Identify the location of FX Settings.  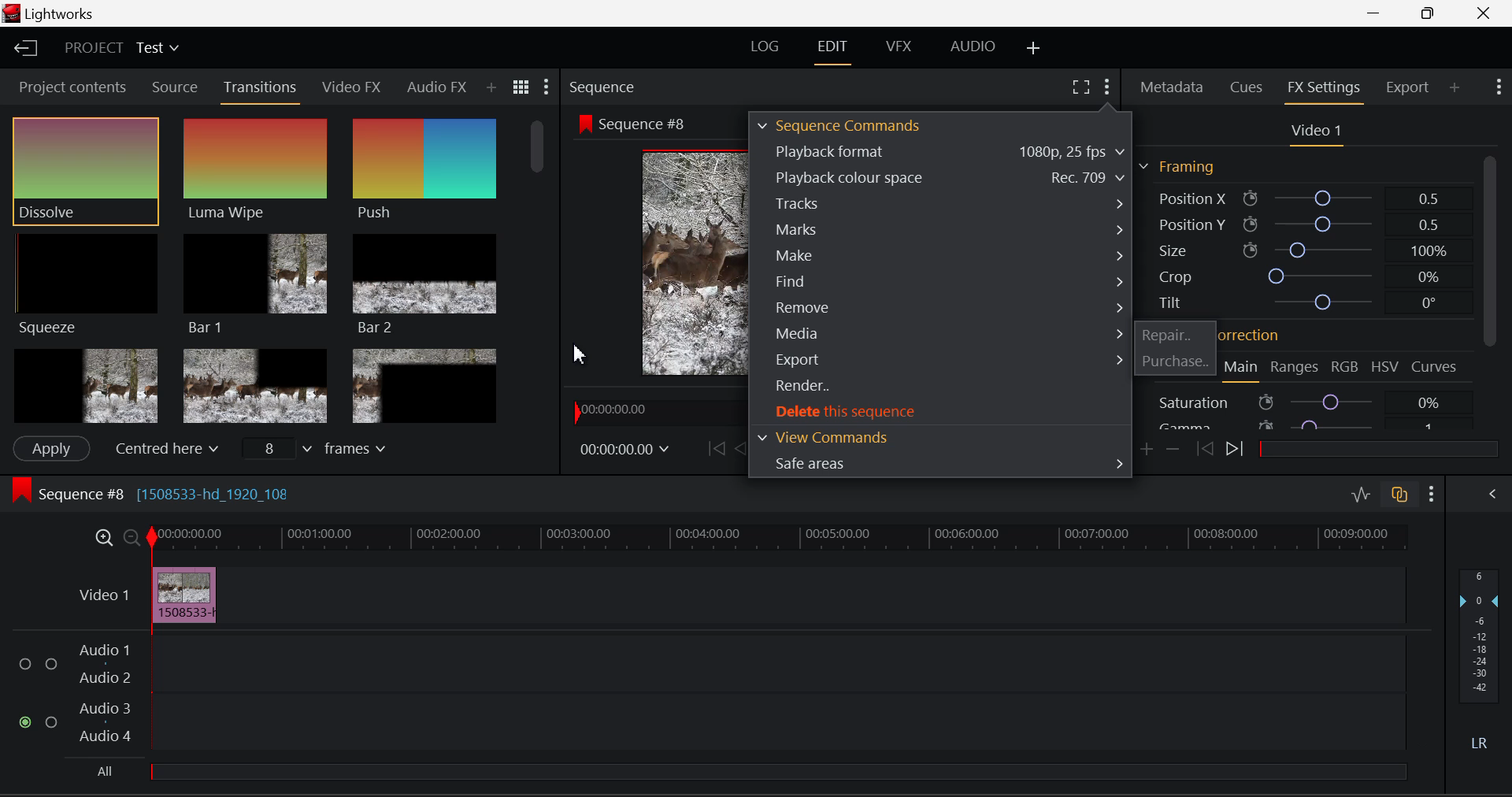
(1323, 88).